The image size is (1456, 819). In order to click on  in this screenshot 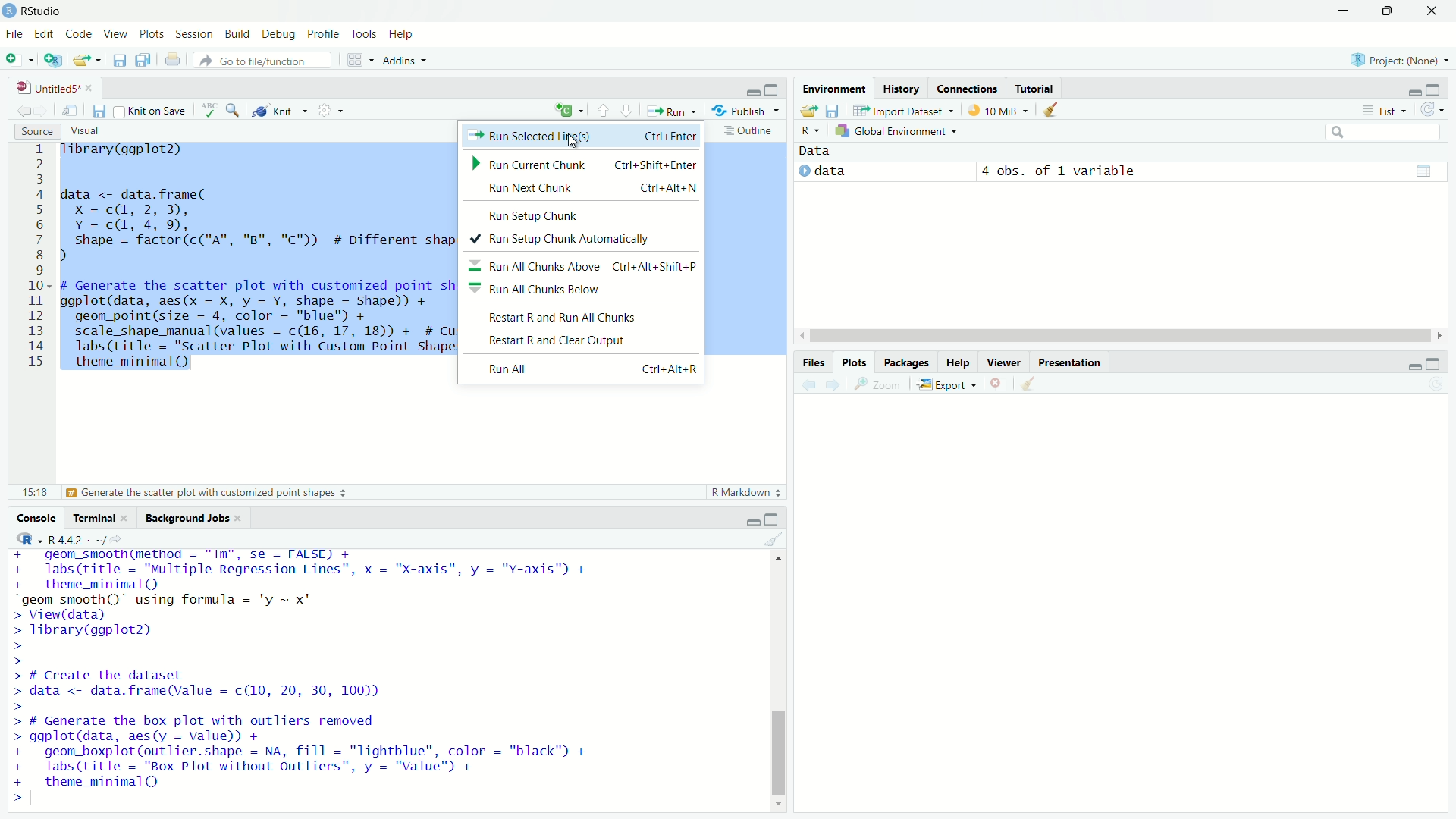, I will do `click(1069, 362)`.